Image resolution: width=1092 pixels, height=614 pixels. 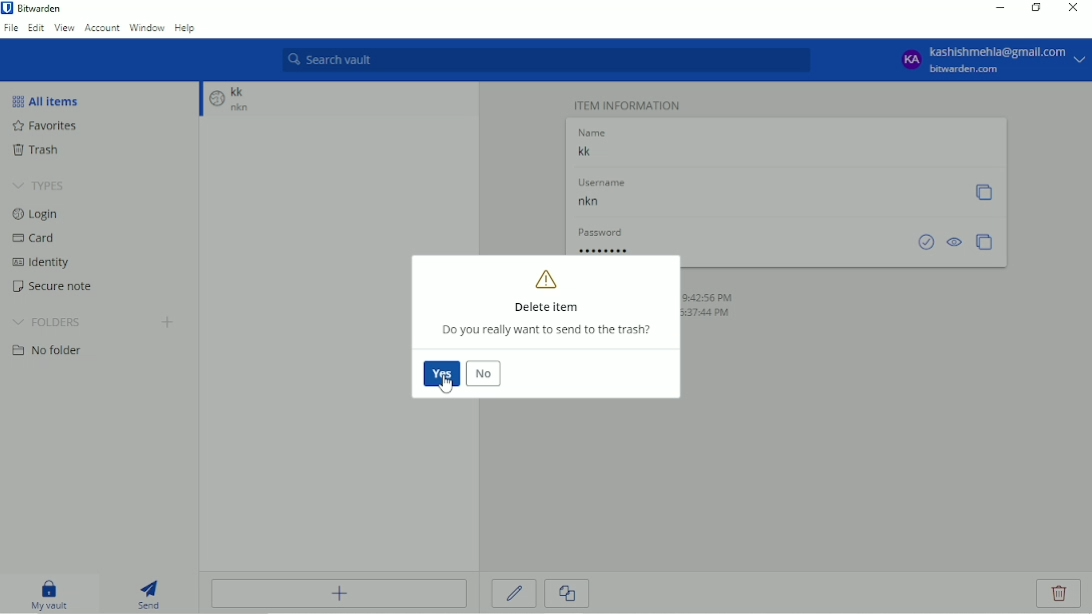 I want to click on Delete item, so click(x=547, y=307).